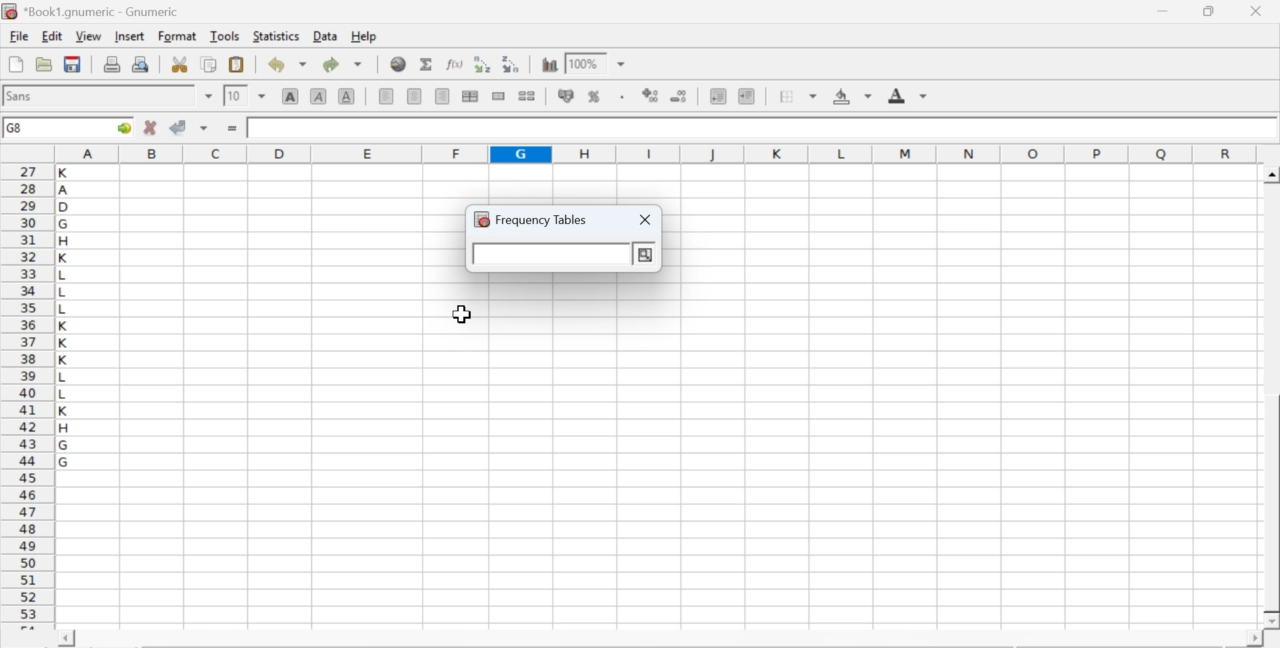  Describe the element at coordinates (456, 63) in the screenshot. I see `edit function in current cell` at that location.